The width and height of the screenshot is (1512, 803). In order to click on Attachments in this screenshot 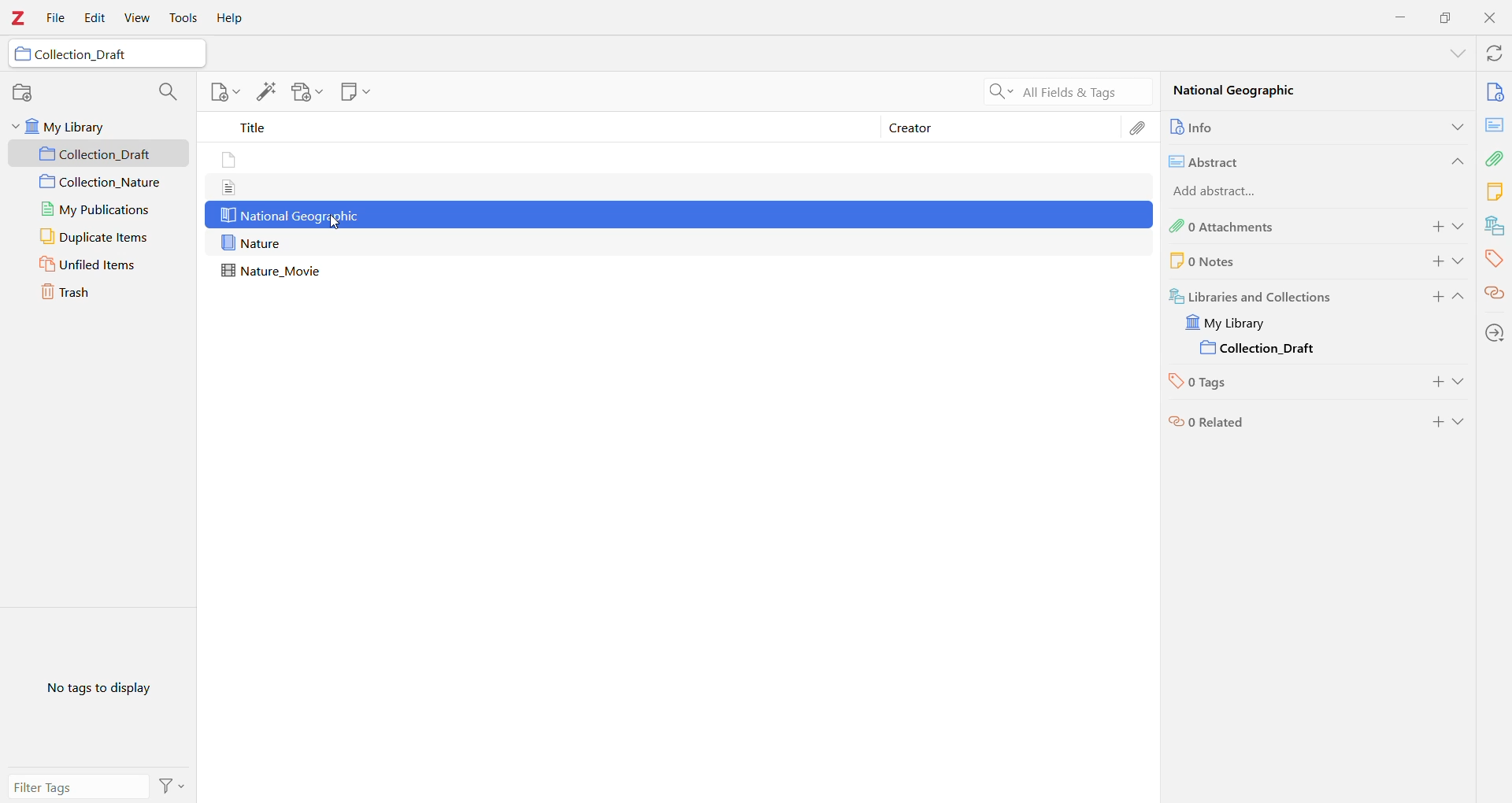, I will do `click(1496, 157)`.